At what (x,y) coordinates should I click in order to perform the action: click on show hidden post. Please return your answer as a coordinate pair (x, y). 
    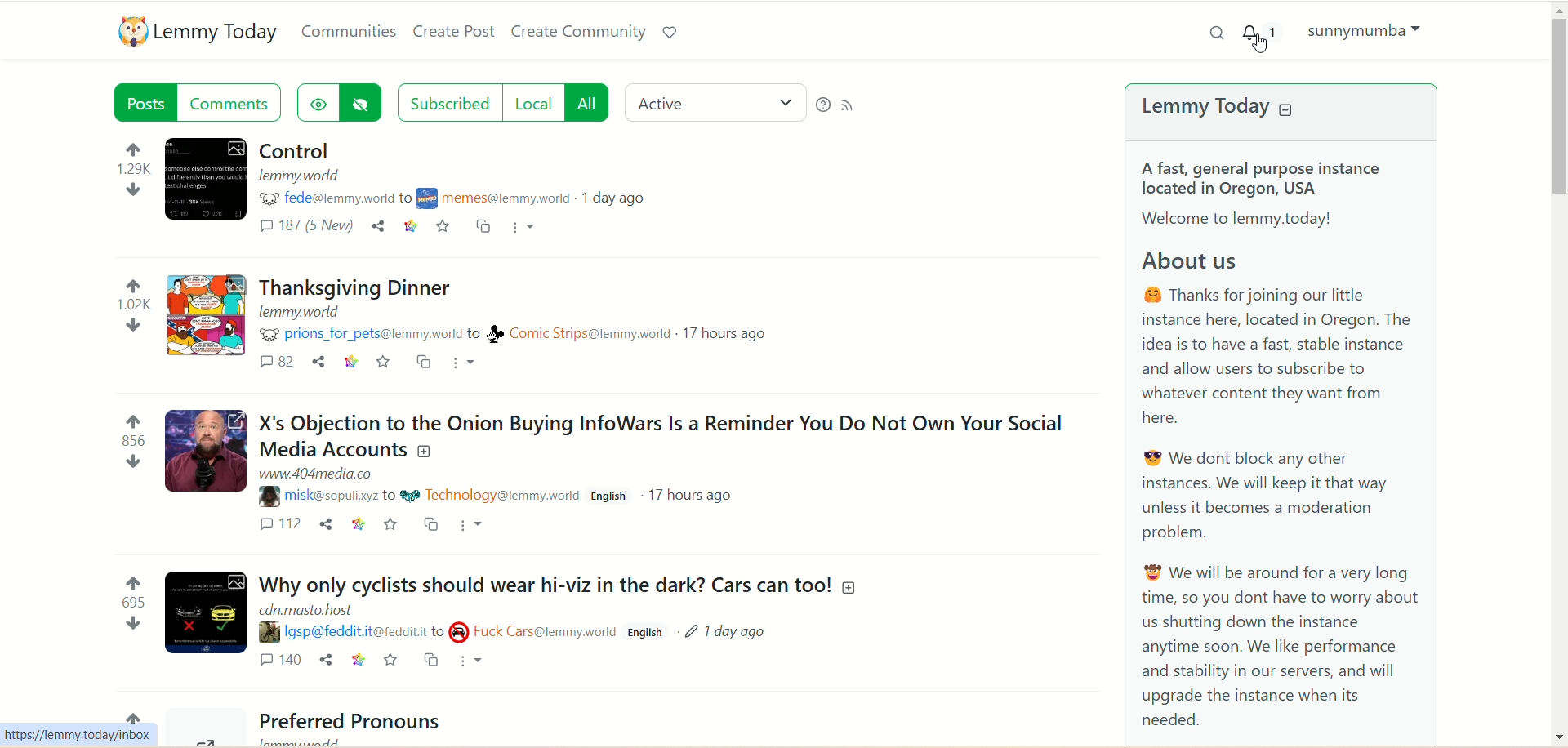
    Looking at the image, I should click on (315, 102).